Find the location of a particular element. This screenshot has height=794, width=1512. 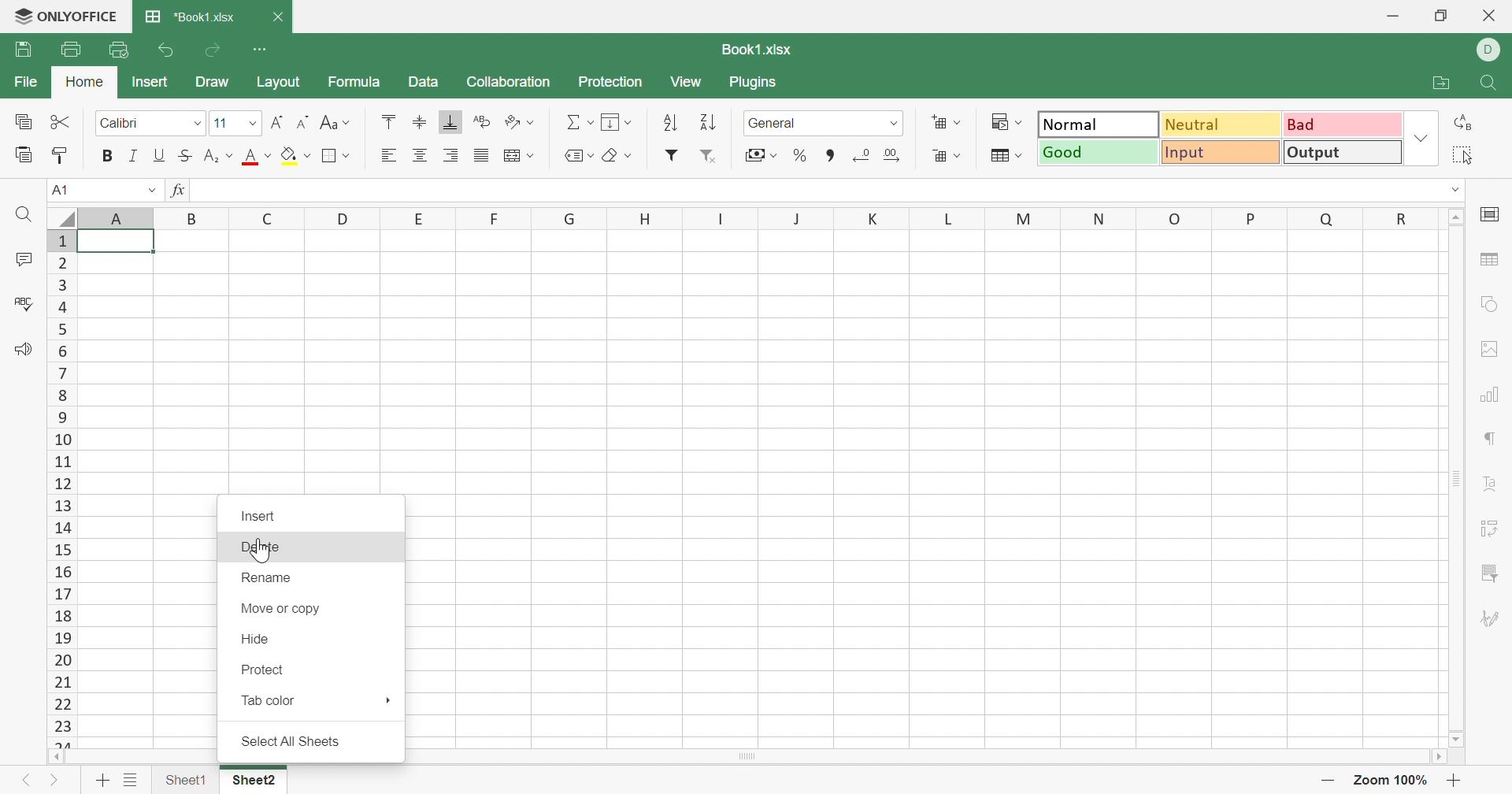

Fill is located at coordinates (613, 122).